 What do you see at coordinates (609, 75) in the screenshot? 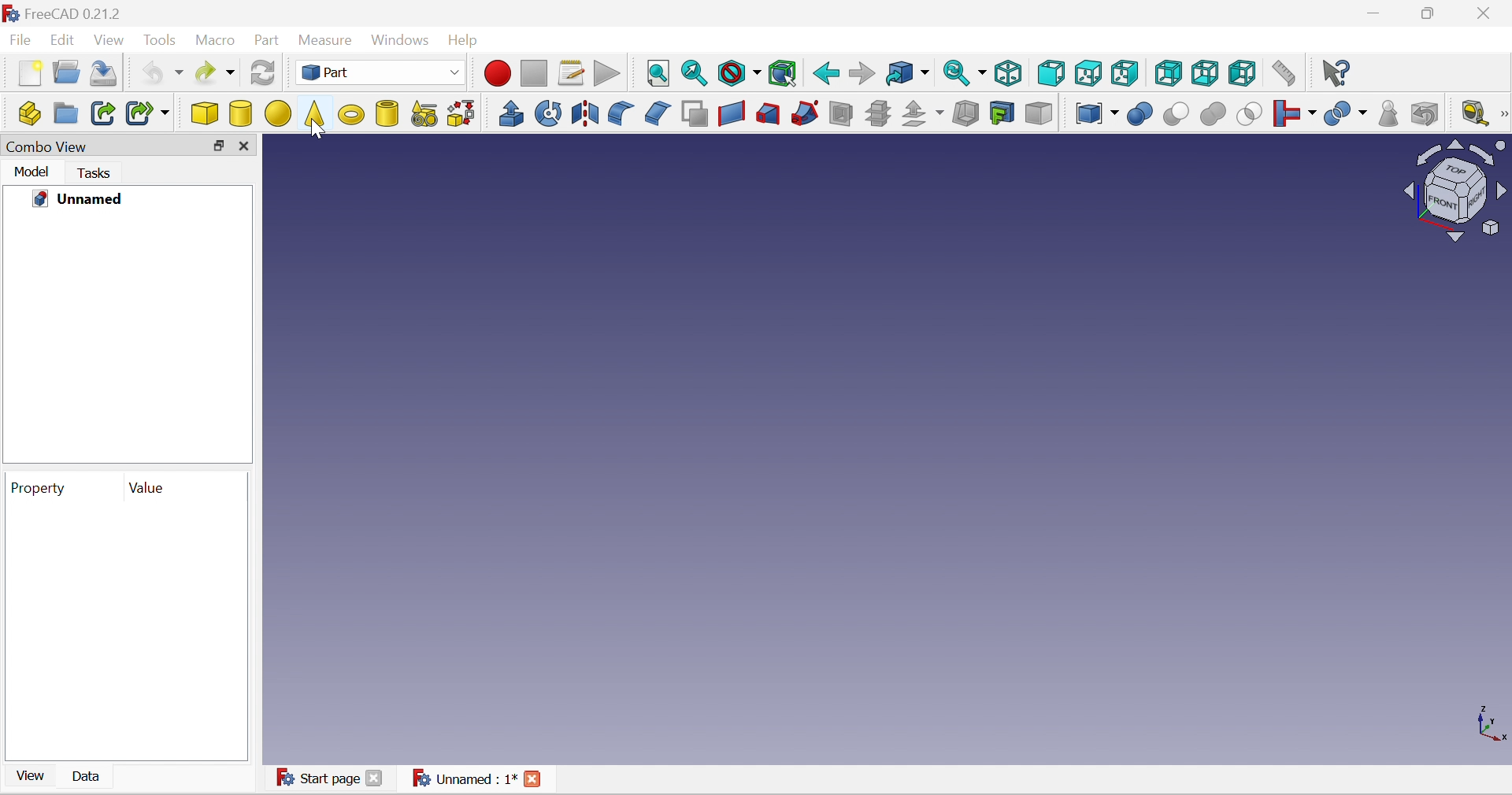
I see `Execute macro` at bounding box center [609, 75].